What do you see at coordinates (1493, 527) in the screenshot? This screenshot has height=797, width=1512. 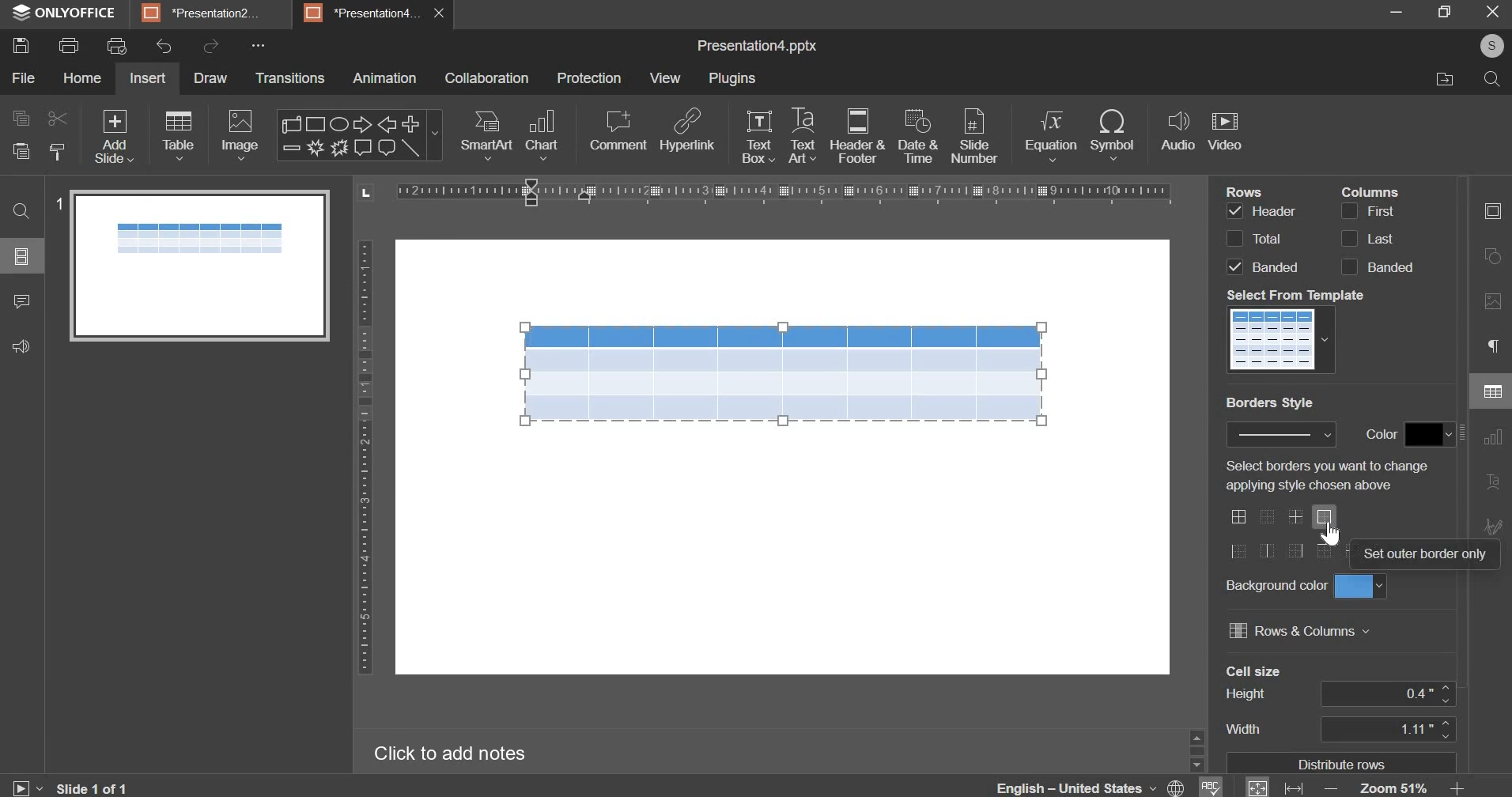 I see `signature settings` at bounding box center [1493, 527].